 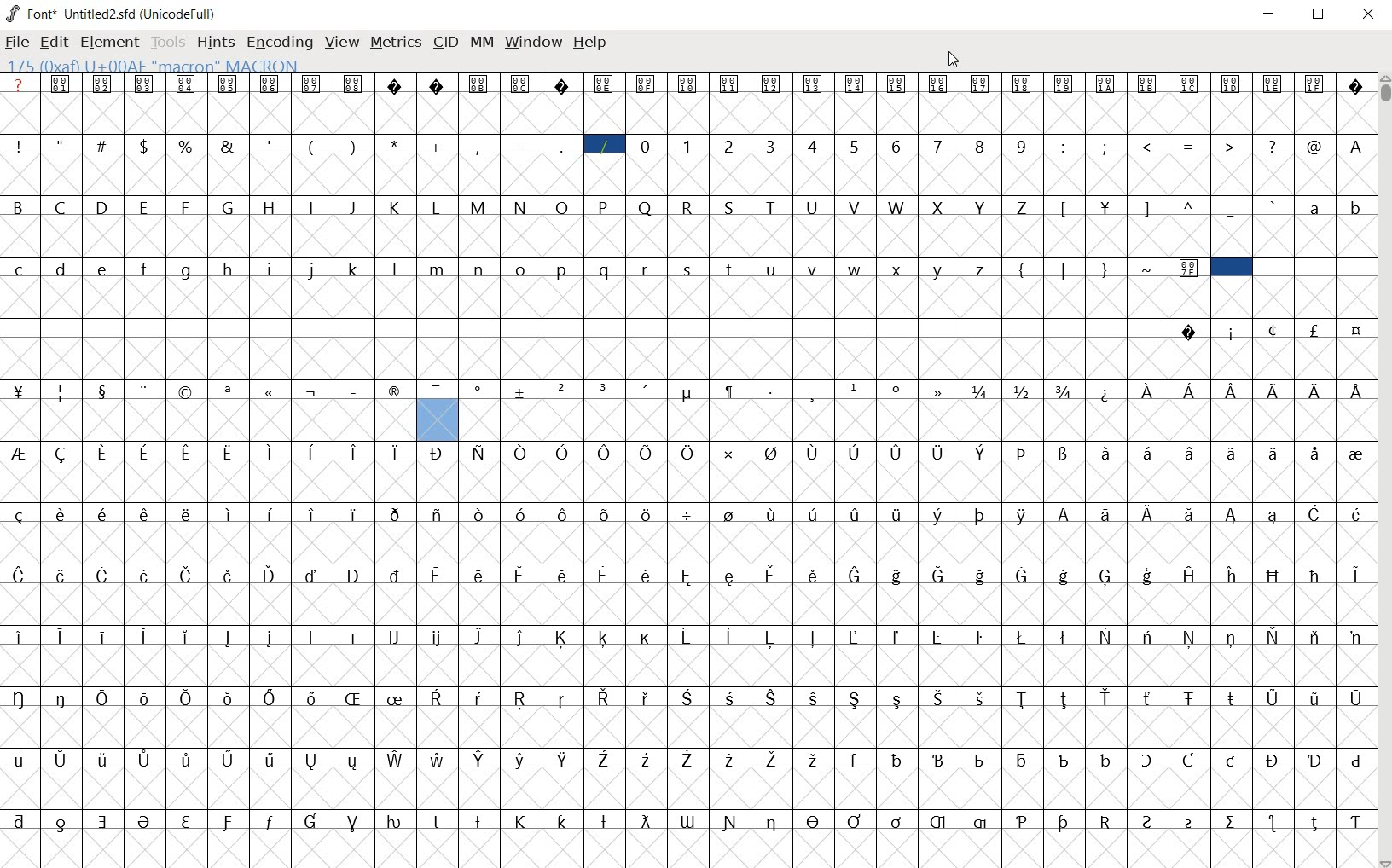 What do you see at coordinates (272, 575) in the screenshot?
I see `Symbol` at bounding box center [272, 575].